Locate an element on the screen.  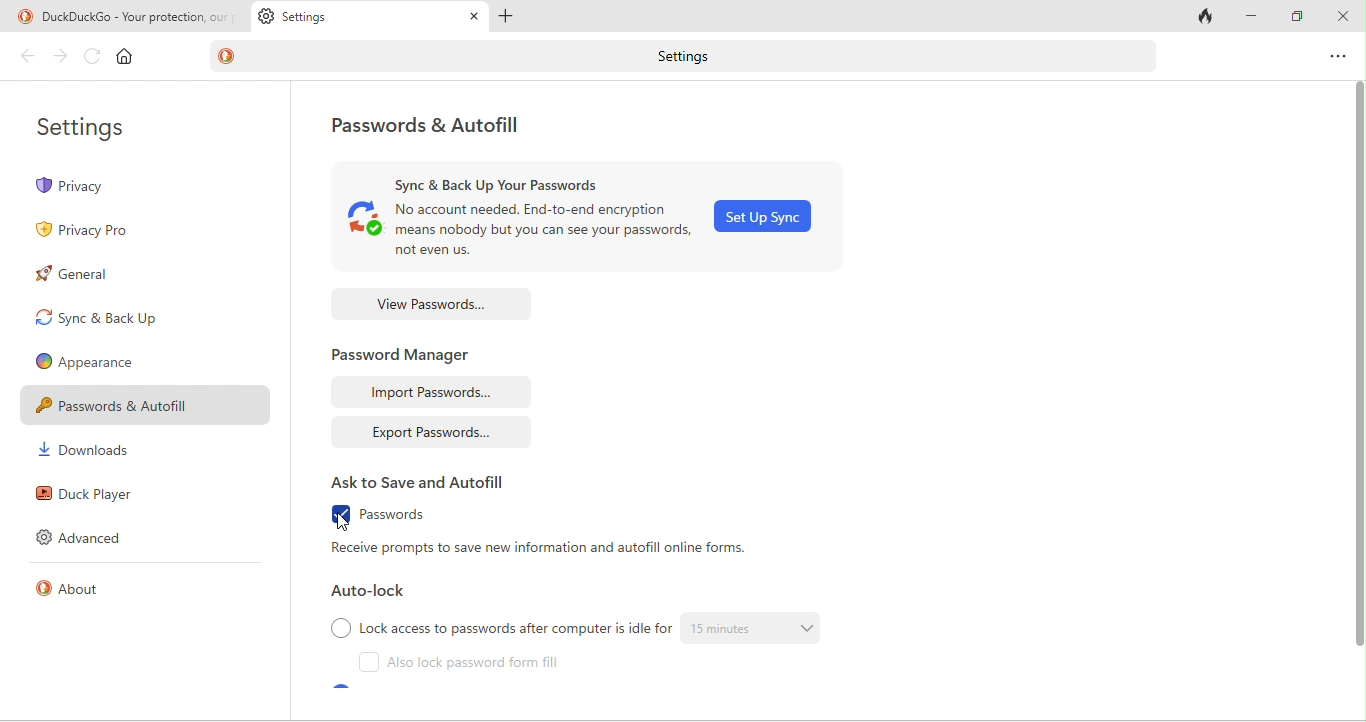
settings is located at coordinates (100, 125).